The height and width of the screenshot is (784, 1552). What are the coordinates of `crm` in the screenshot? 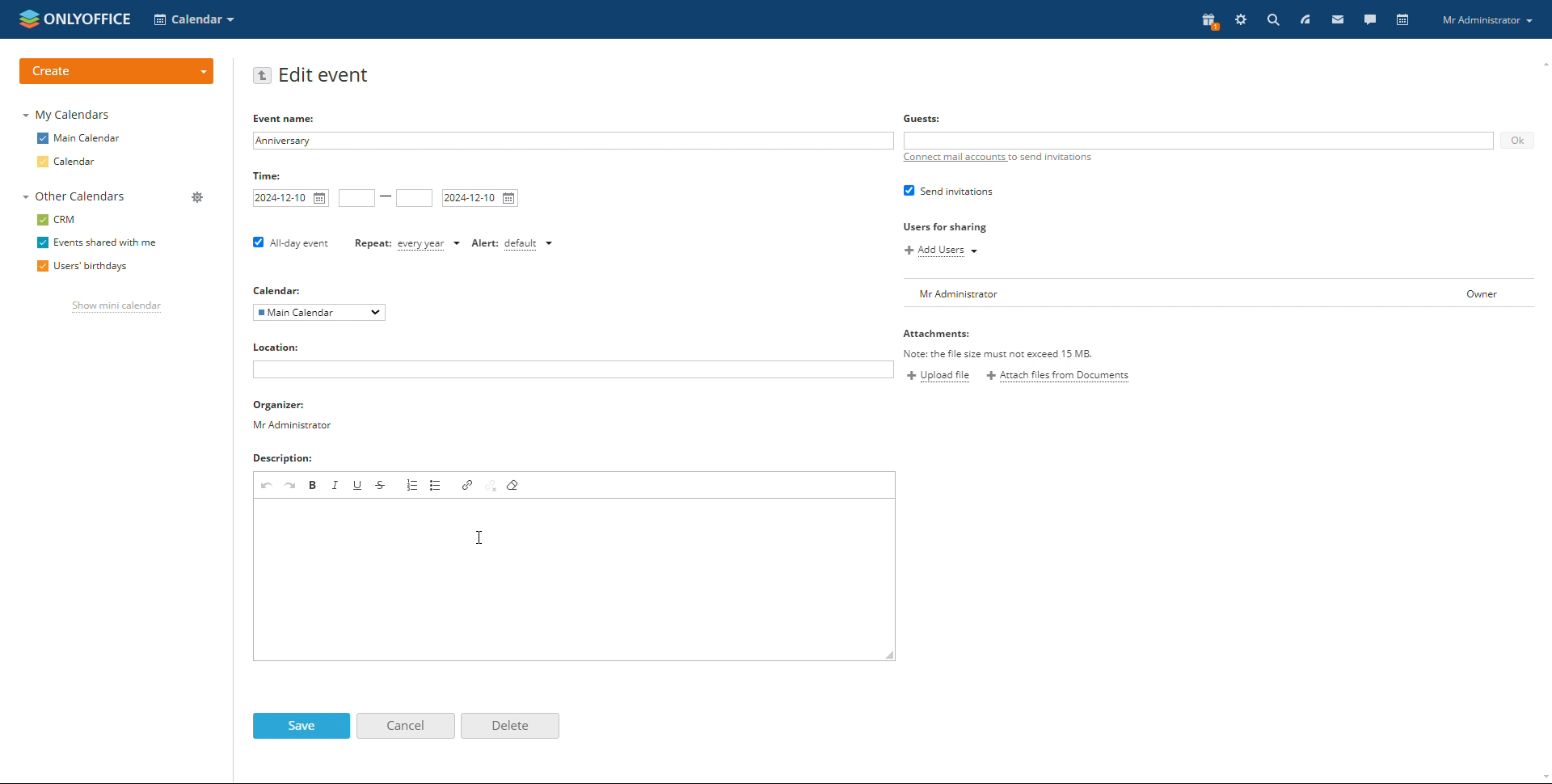 It's located at (57, 221).